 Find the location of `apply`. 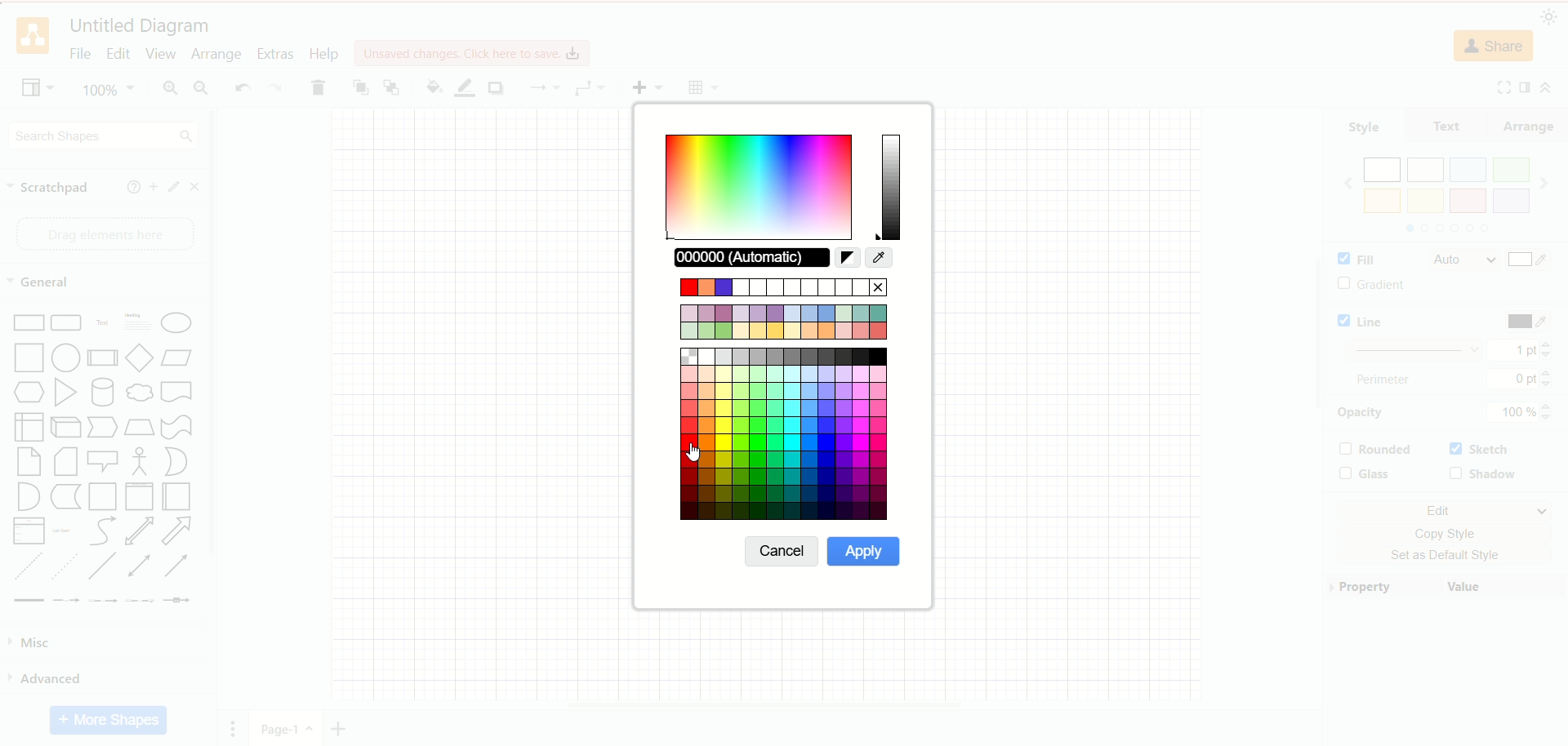

apply is located at coordinates (864, 552).